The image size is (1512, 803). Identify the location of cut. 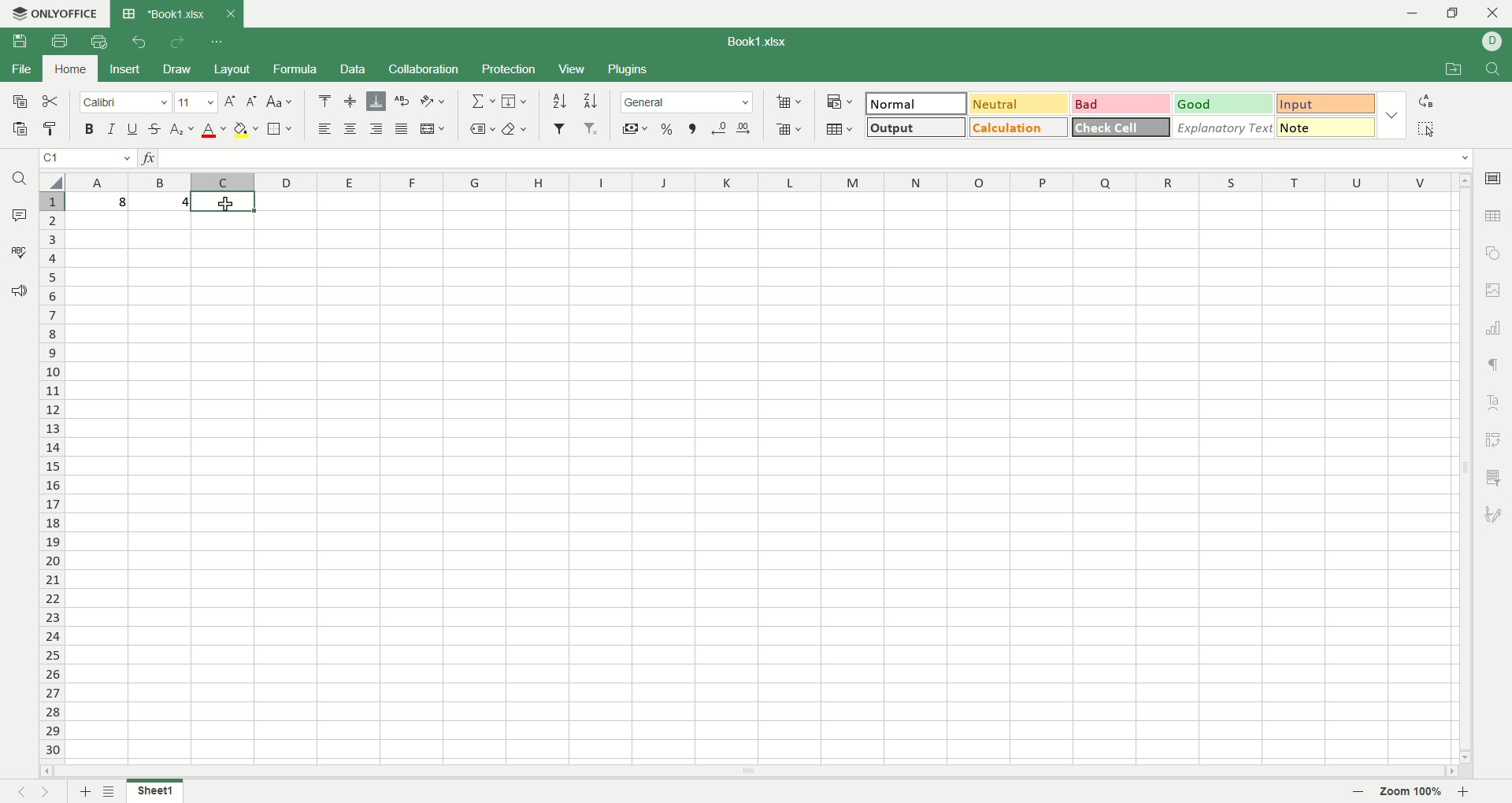
(51, 102).